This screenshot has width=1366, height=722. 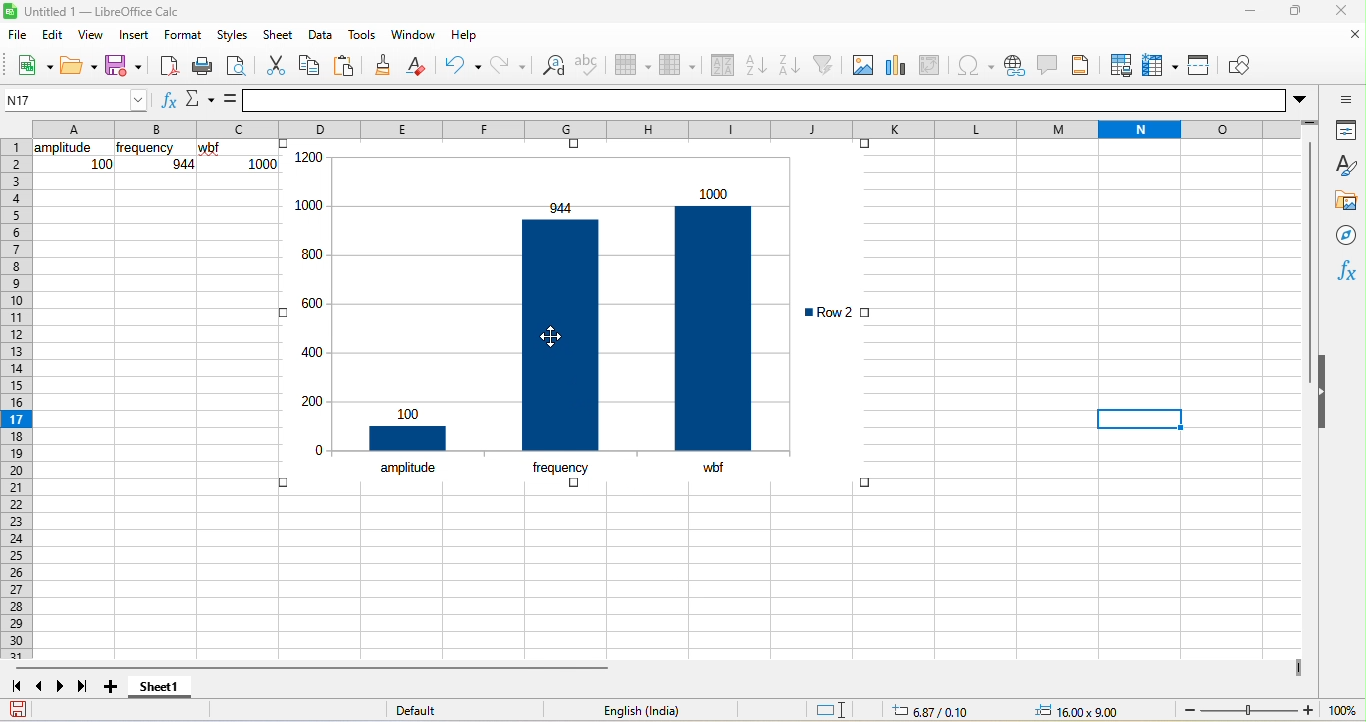 I want to click on auto filter, so click(x=827, y=65).